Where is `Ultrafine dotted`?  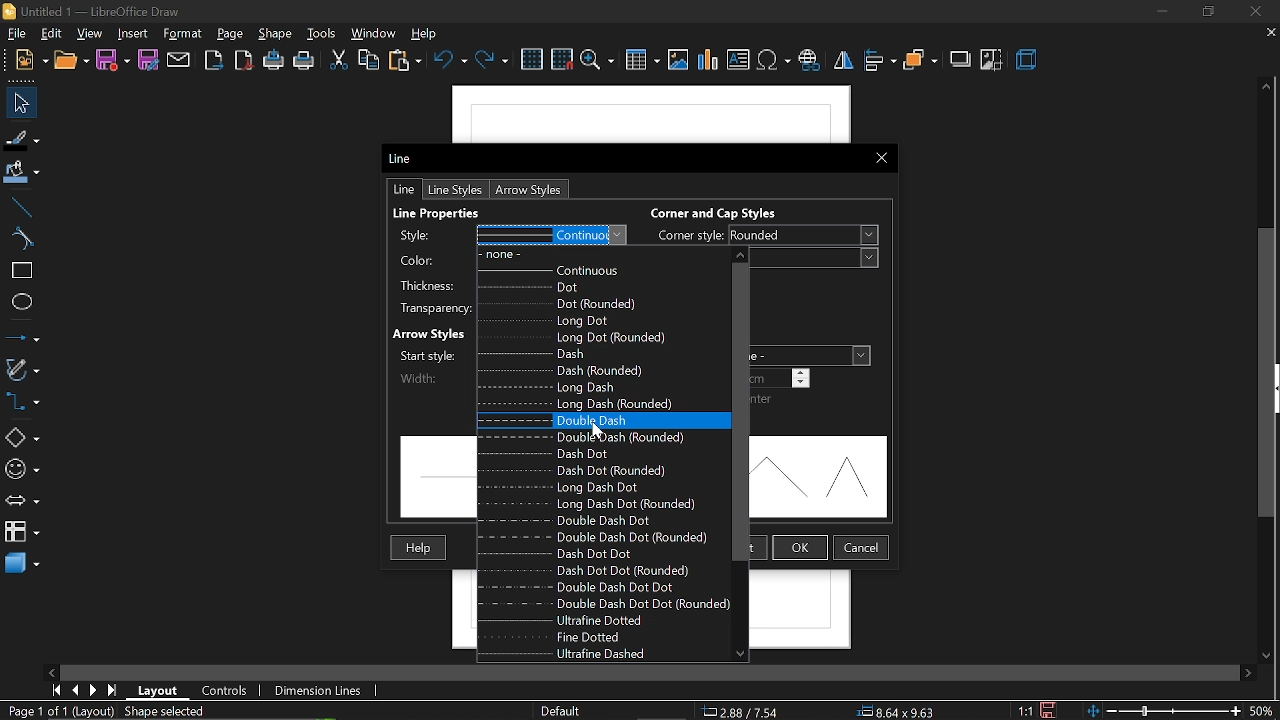 Ultrafine dotted is located at coordinates (609, 620).